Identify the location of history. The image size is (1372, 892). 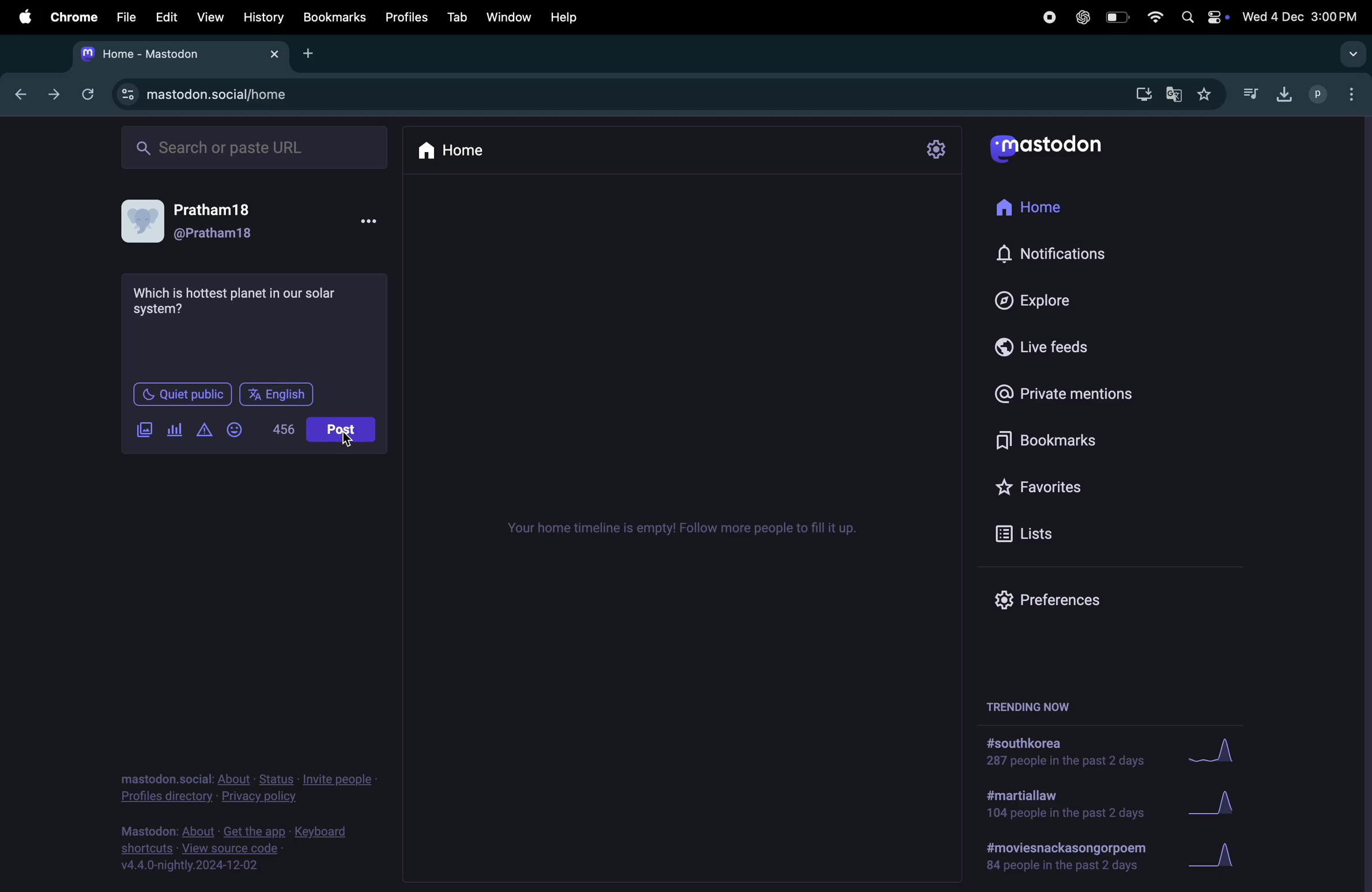
(265, 18).